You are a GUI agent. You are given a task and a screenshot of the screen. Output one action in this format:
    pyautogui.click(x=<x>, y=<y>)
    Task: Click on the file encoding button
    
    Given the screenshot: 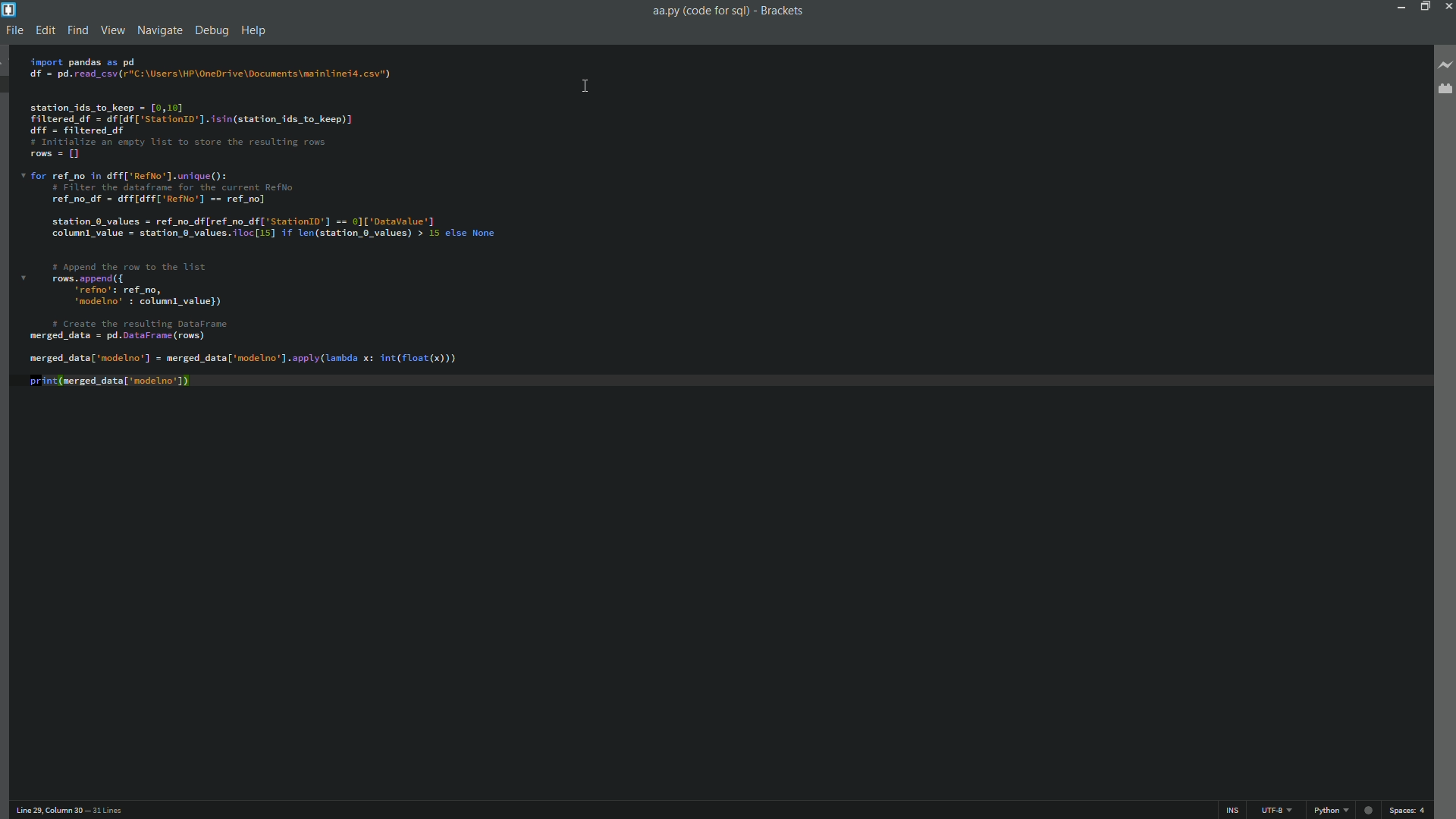 What is the action you would take?
    pyautogui.click(x=1276, y=810)
    